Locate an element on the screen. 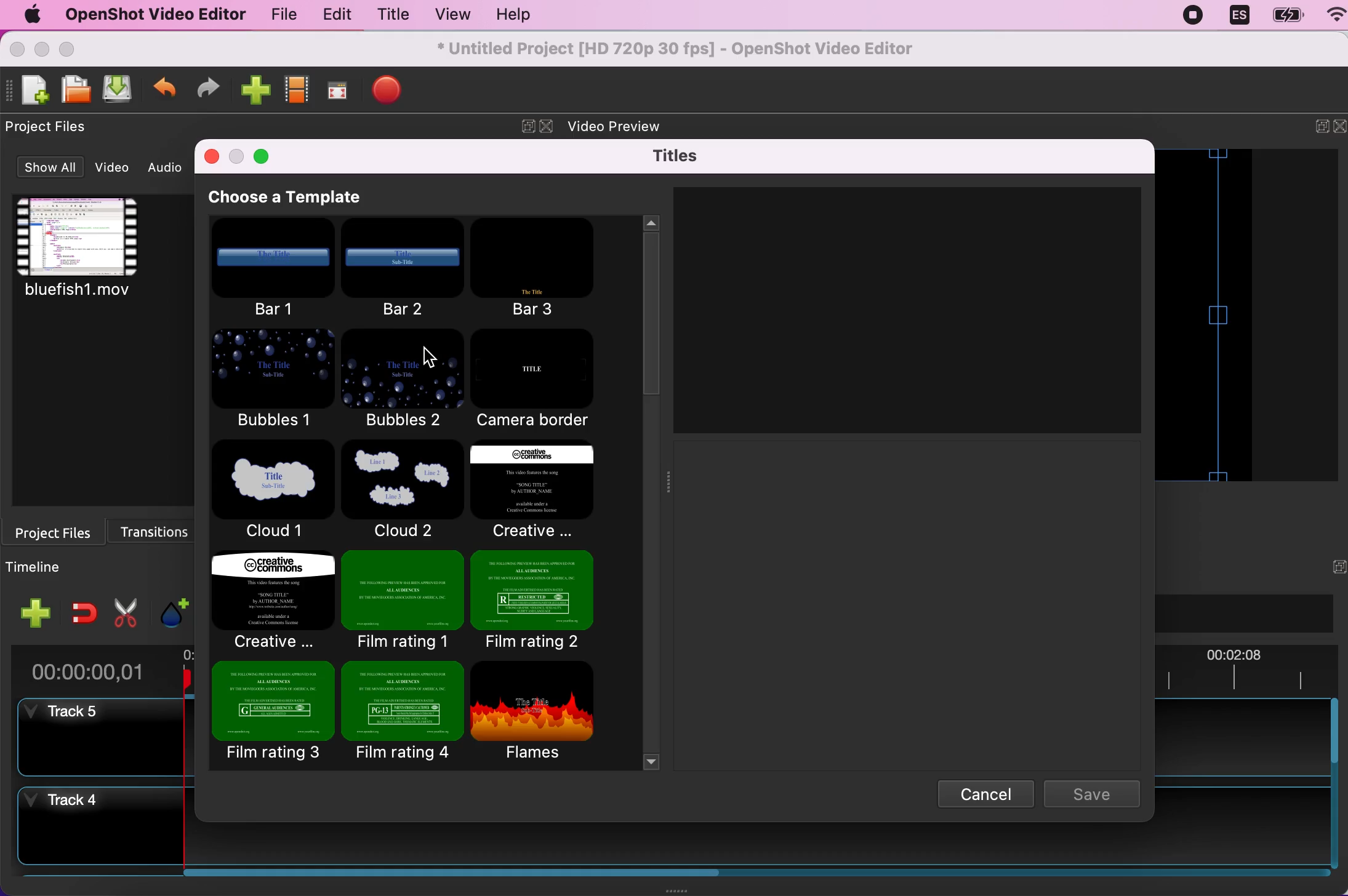 The height and width of the screenshot is (896, 1348). close is located at coordinates (1339, 127).